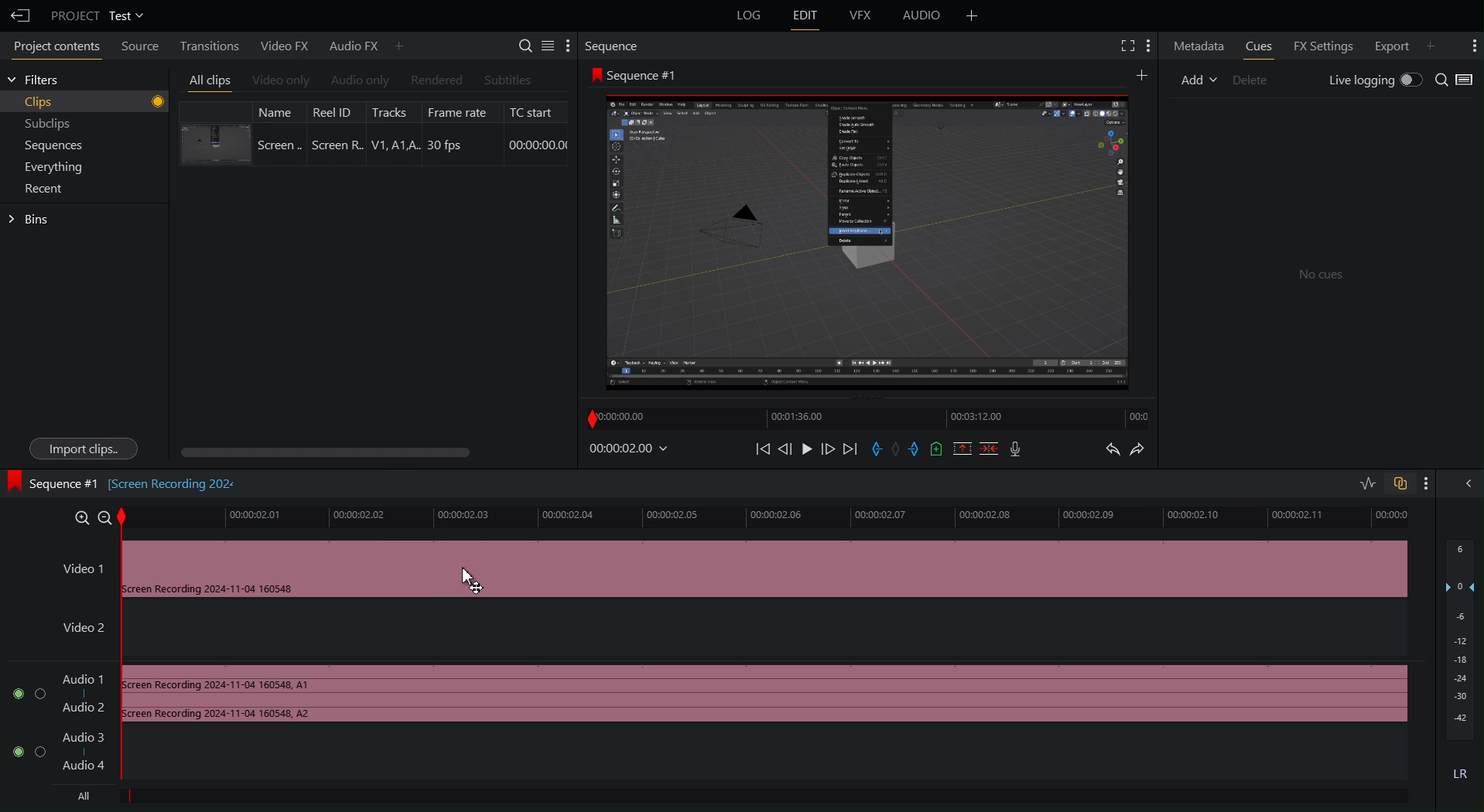 The image size is (1484, 812). Describe the element at coordinates (86, 101) in the screenshot. I see `Clips` at that location.